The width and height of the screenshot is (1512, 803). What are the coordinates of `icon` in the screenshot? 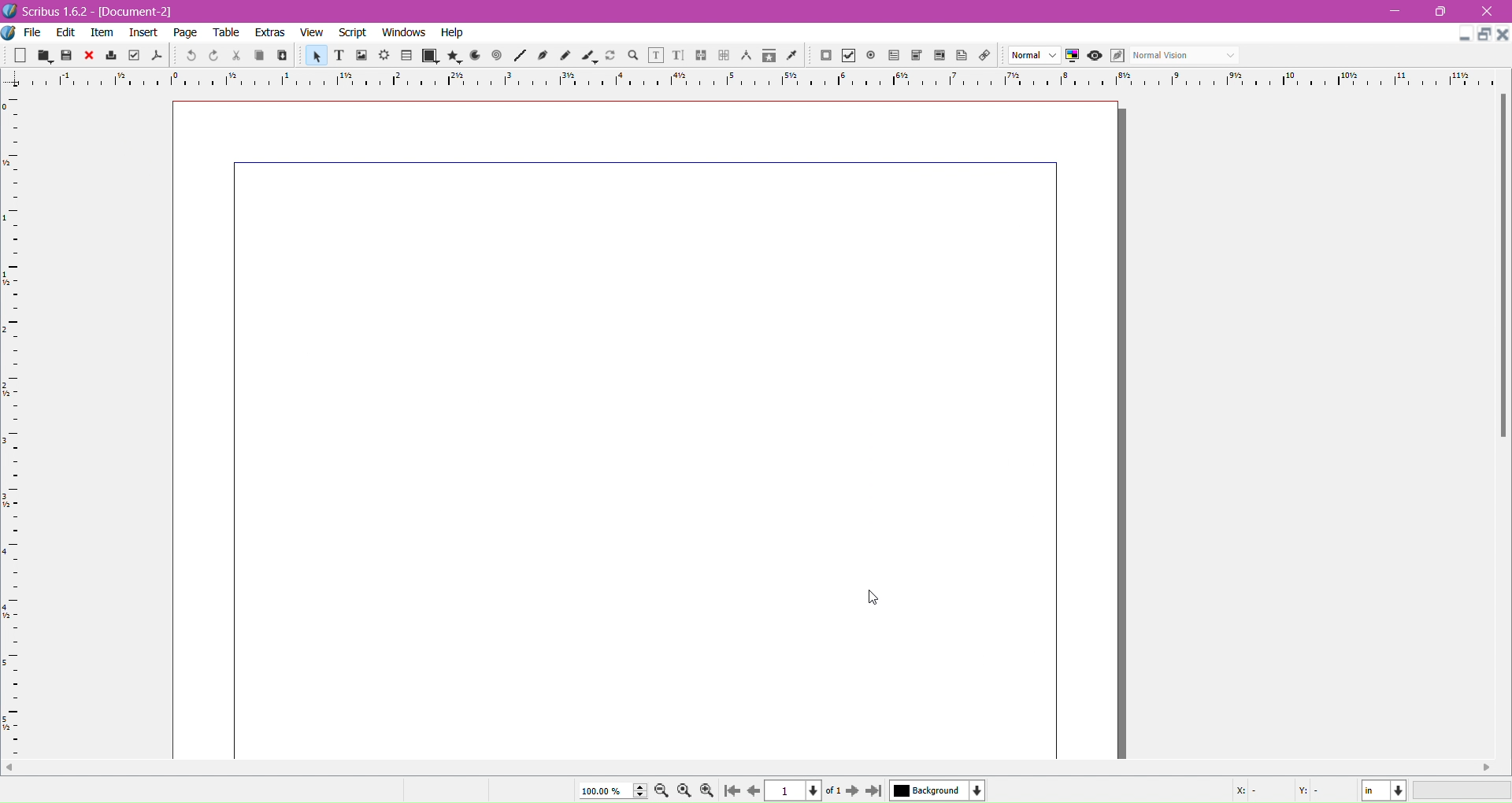 It's located at (984, 56).